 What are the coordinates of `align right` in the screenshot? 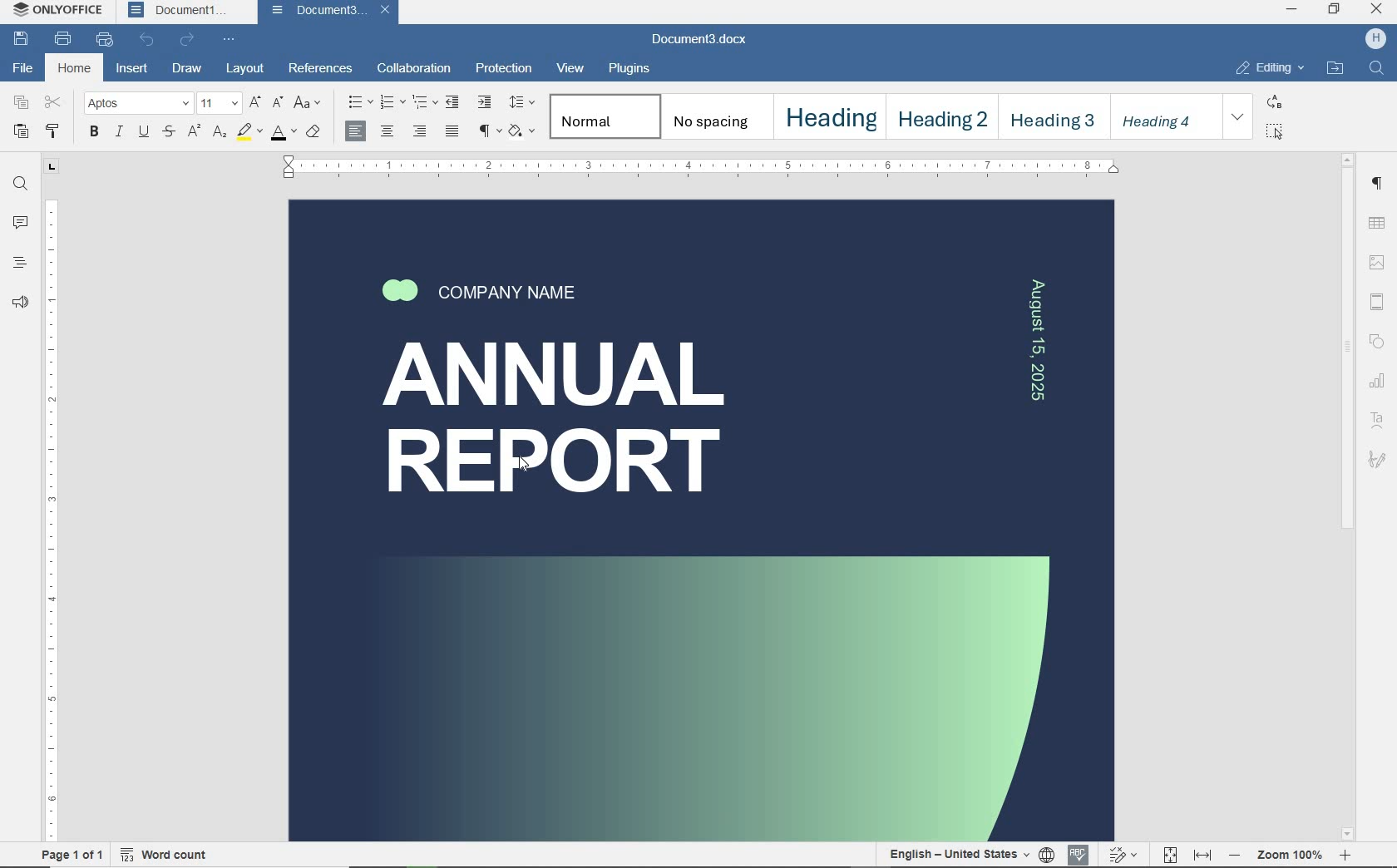 It's located at (421, 131).